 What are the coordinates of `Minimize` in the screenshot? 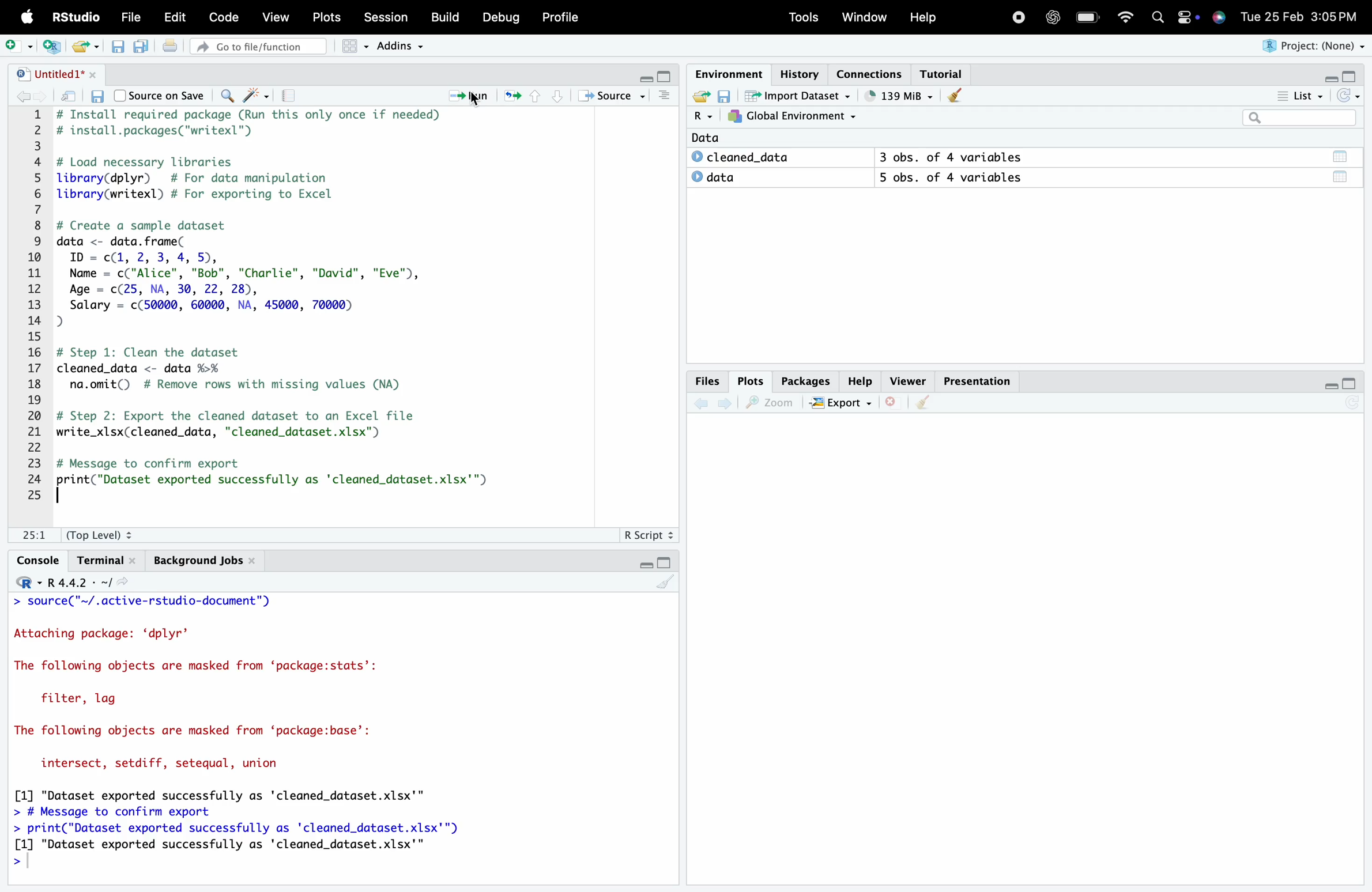 It's located at (1330, 77).